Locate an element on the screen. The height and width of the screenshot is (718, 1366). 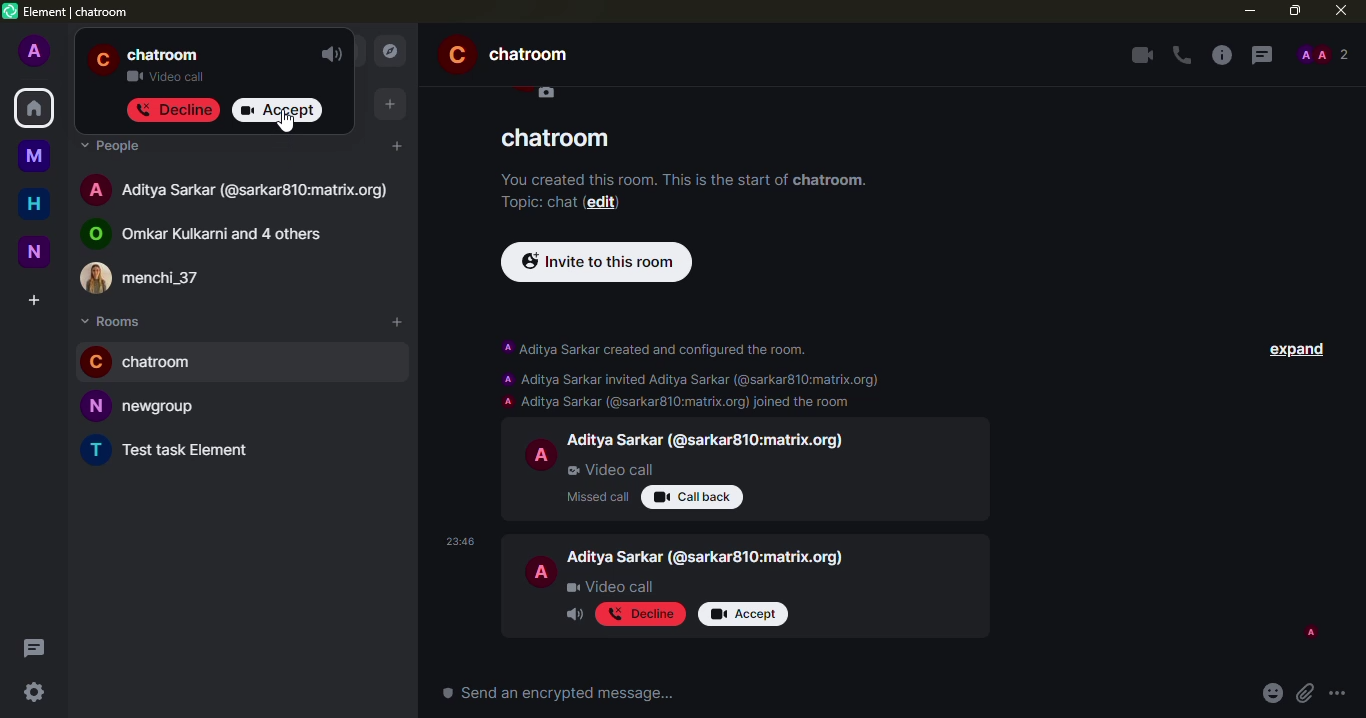
accept is located at coordinates (743, 615).